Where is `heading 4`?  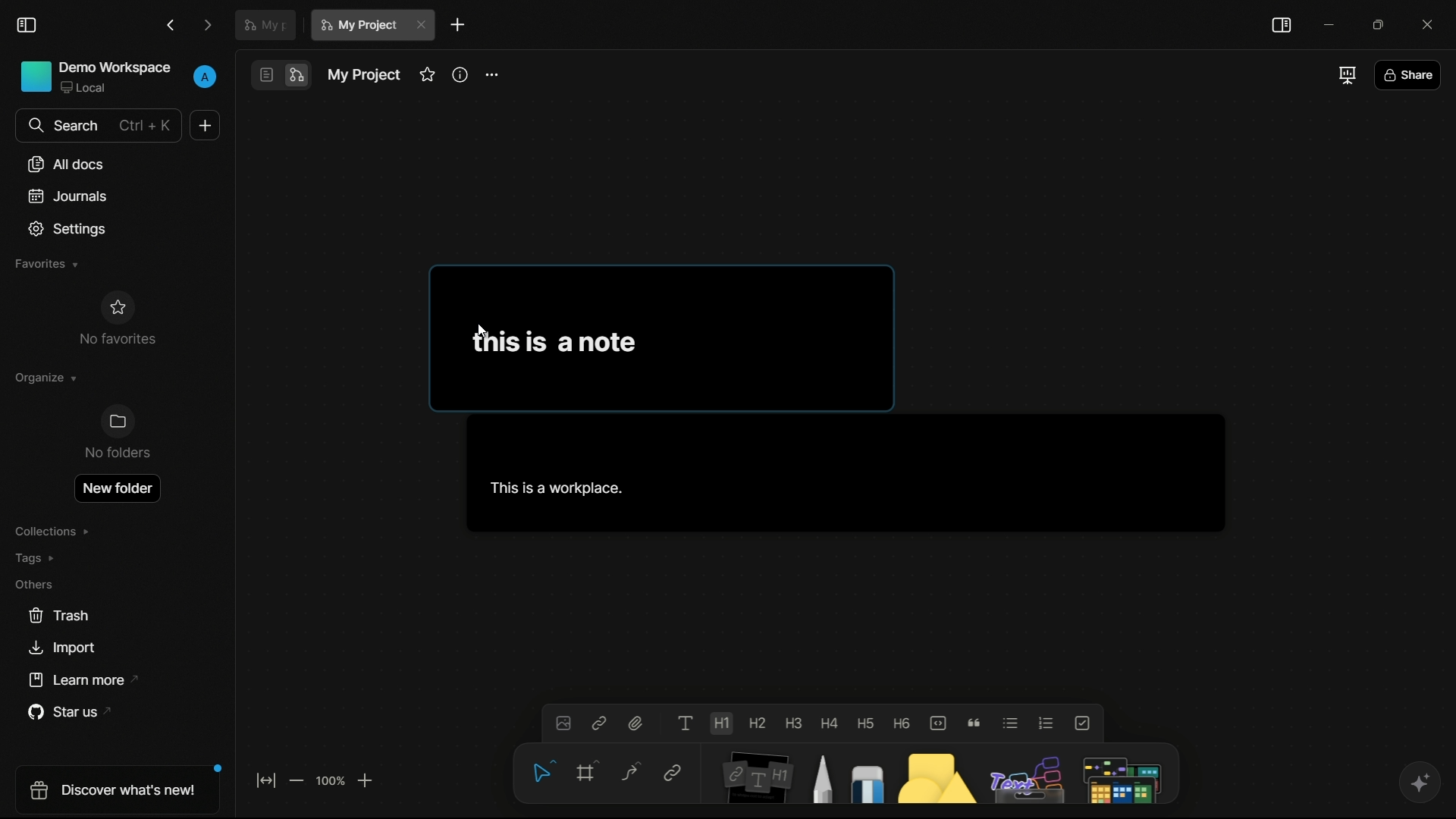
heading 4 is located at coordinates (831, 719).